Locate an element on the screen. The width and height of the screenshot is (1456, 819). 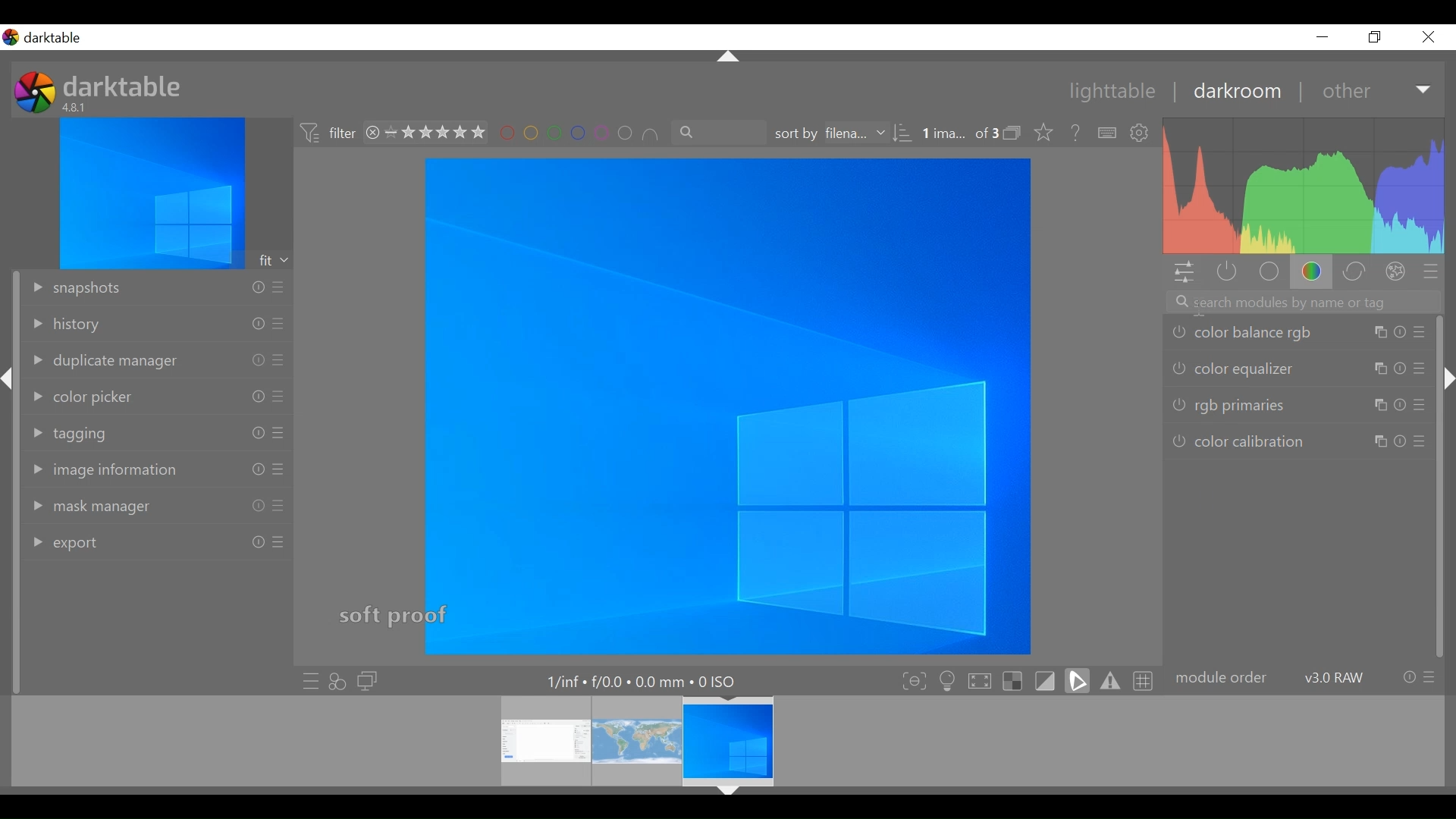
fit is located at coordinates (275, 260).